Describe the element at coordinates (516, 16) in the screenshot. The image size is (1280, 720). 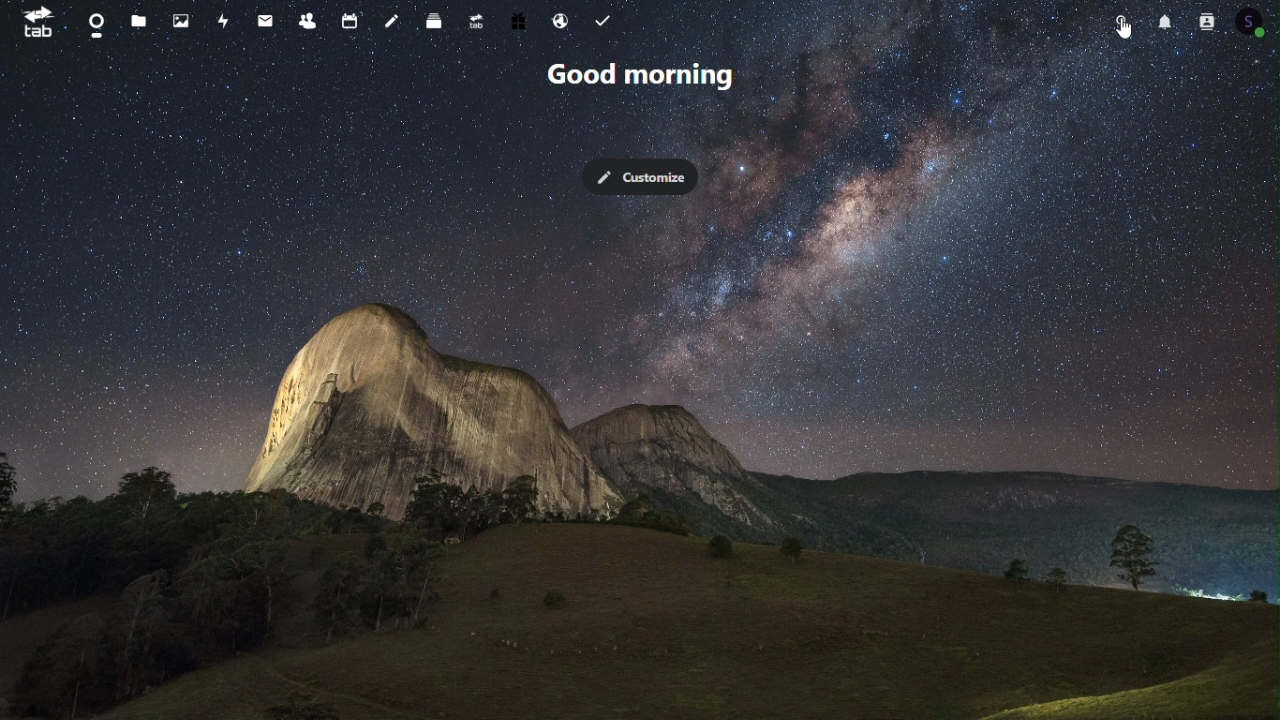
I see `Free trial` at that location.